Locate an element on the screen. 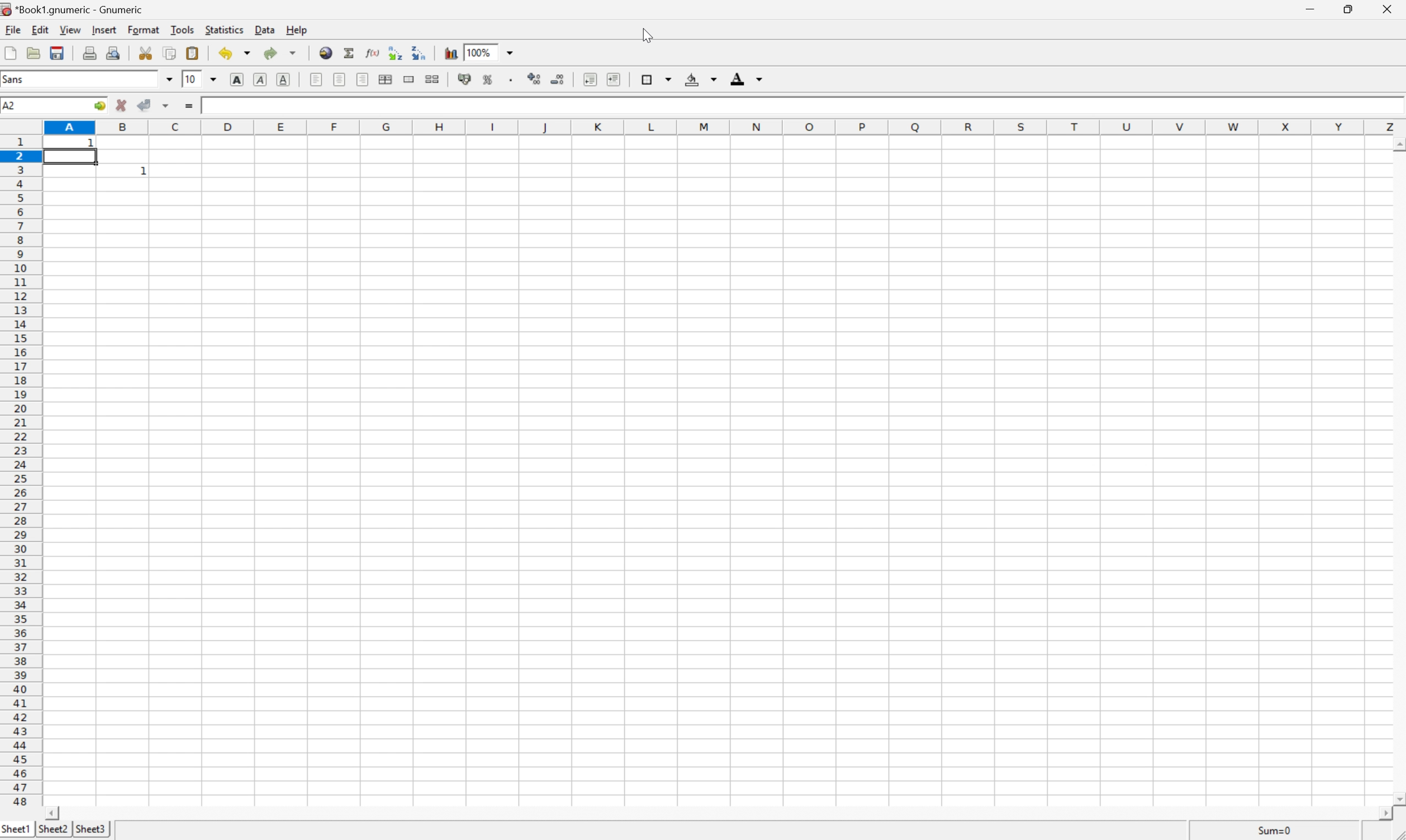 This screenshot has width=1406, height=840. enter formula is located at coordinates (192, 105).